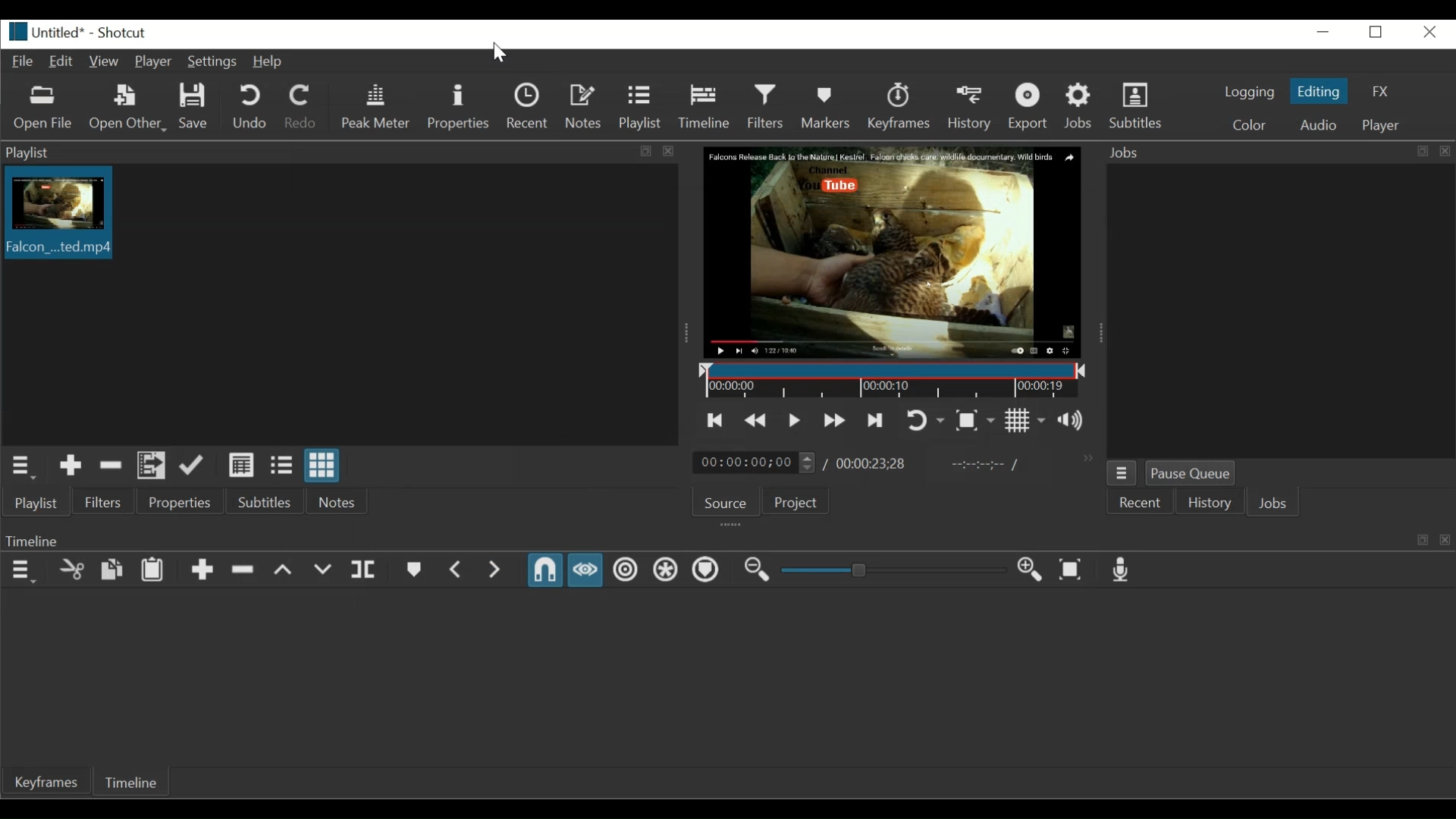  Describe the element at coordinates (460, 570) in the screenshot. I see `Previous marker` at that location.